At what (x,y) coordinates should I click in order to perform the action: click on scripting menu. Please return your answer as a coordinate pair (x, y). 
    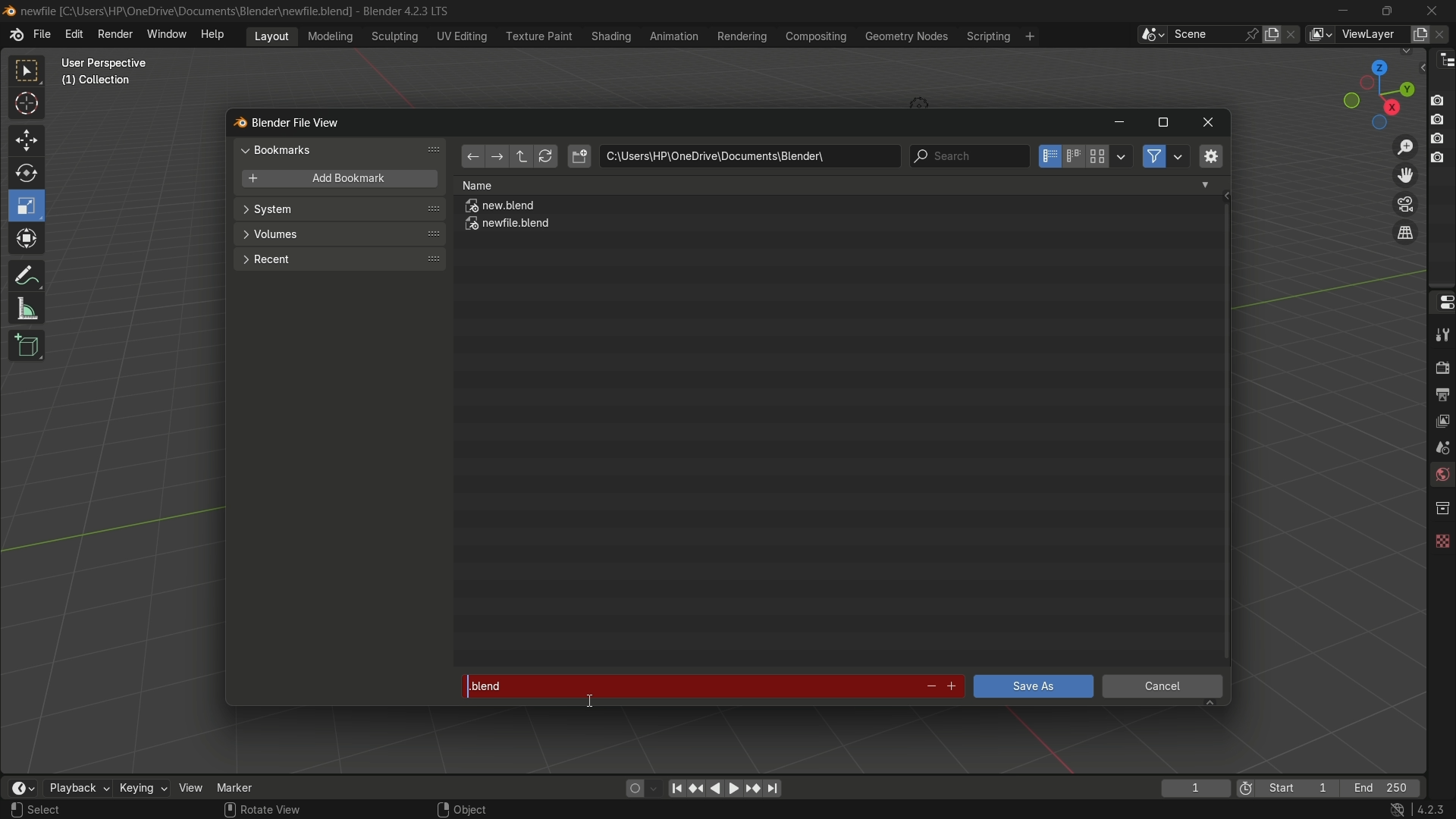
    Looking at the image, I should click on (987, 36).